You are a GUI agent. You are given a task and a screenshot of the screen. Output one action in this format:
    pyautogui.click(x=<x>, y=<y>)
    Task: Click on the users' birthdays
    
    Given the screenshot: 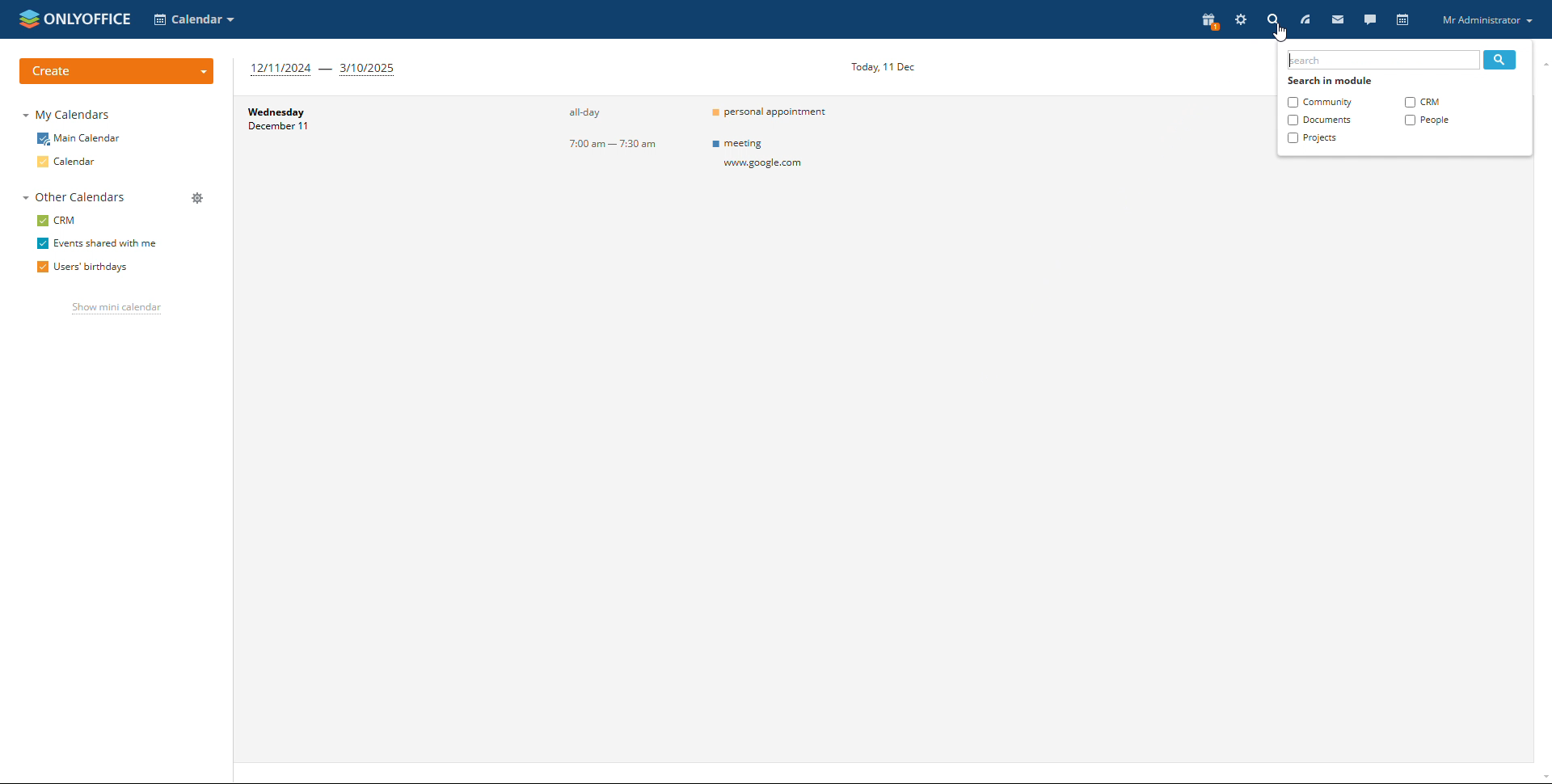 What is the action you would take?
    pyautogui.click(x=87, y=266)
    